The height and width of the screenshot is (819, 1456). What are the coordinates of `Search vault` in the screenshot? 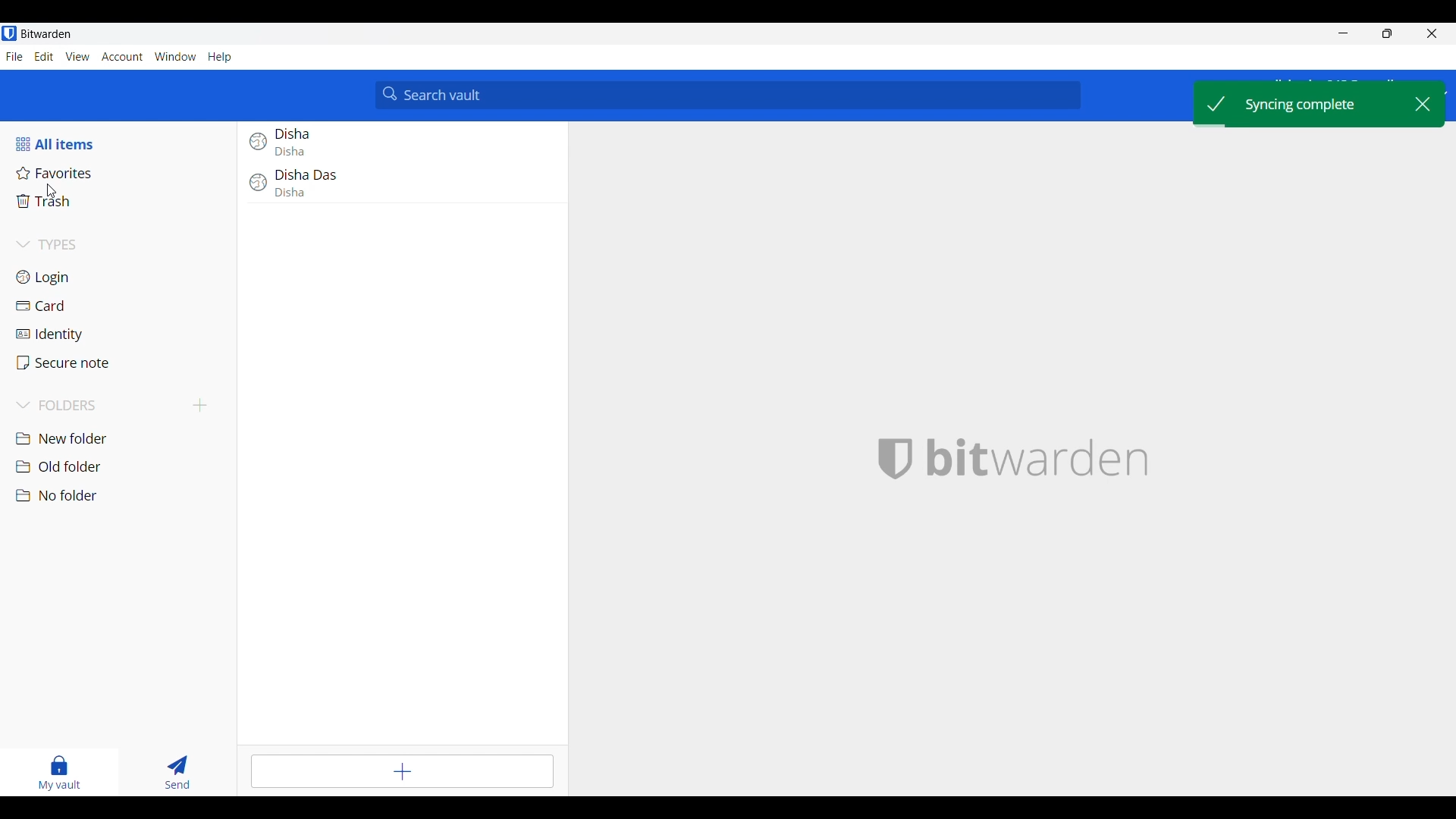 It's located at (729, 96).